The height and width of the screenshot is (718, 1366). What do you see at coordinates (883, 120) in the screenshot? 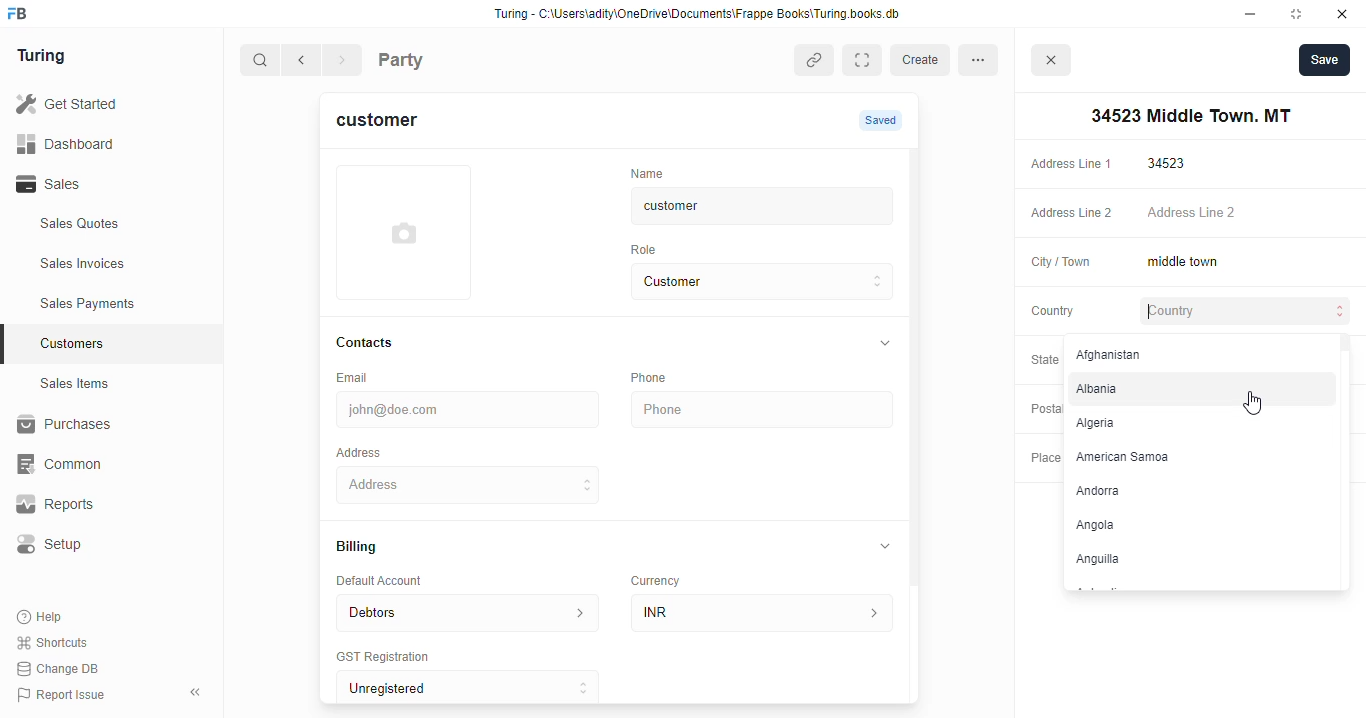
I see `Saved` at bounding box center [883, 120].